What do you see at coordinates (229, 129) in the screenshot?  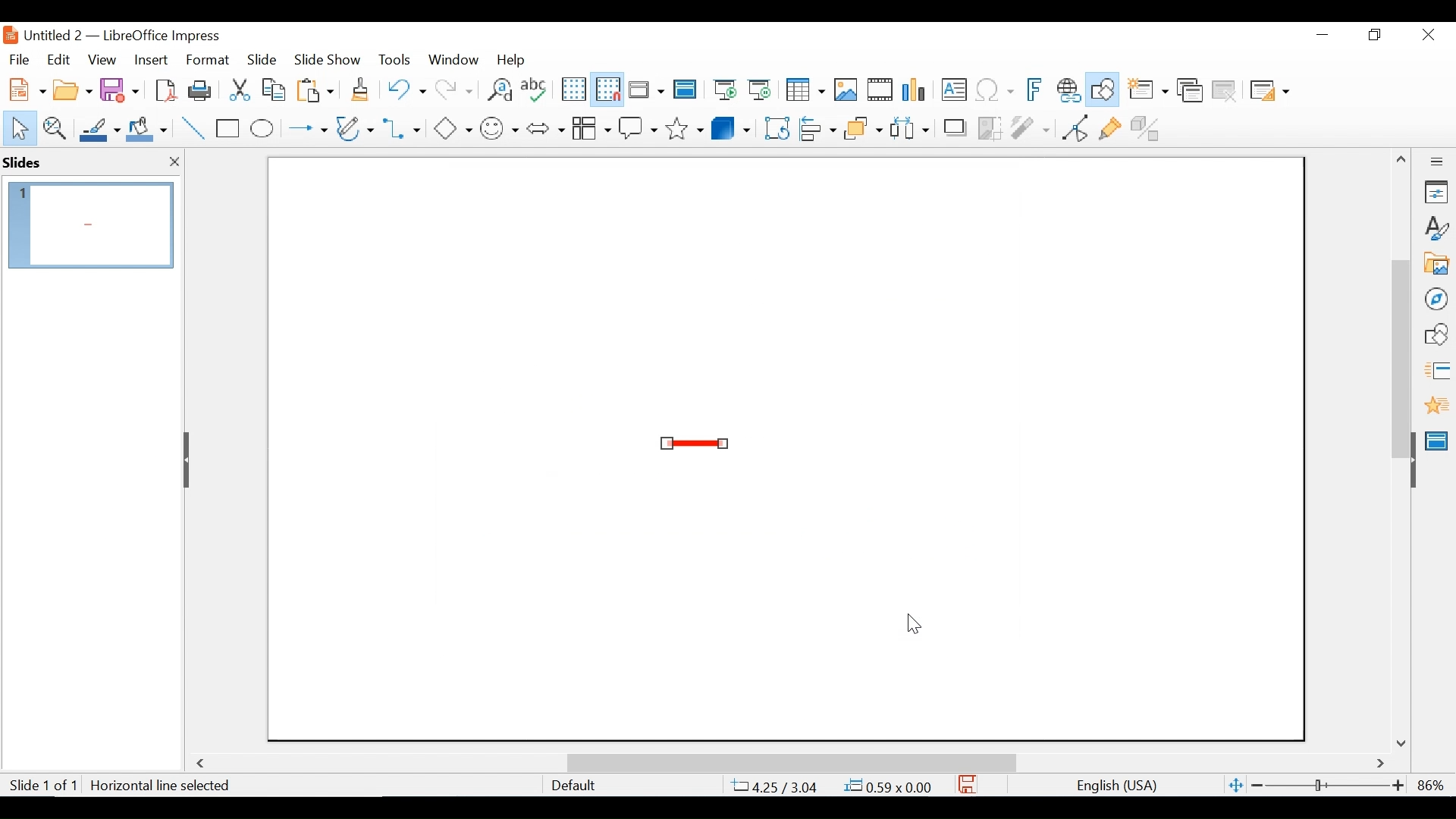 I see `Rectangle` at bounding box center [229, 129].